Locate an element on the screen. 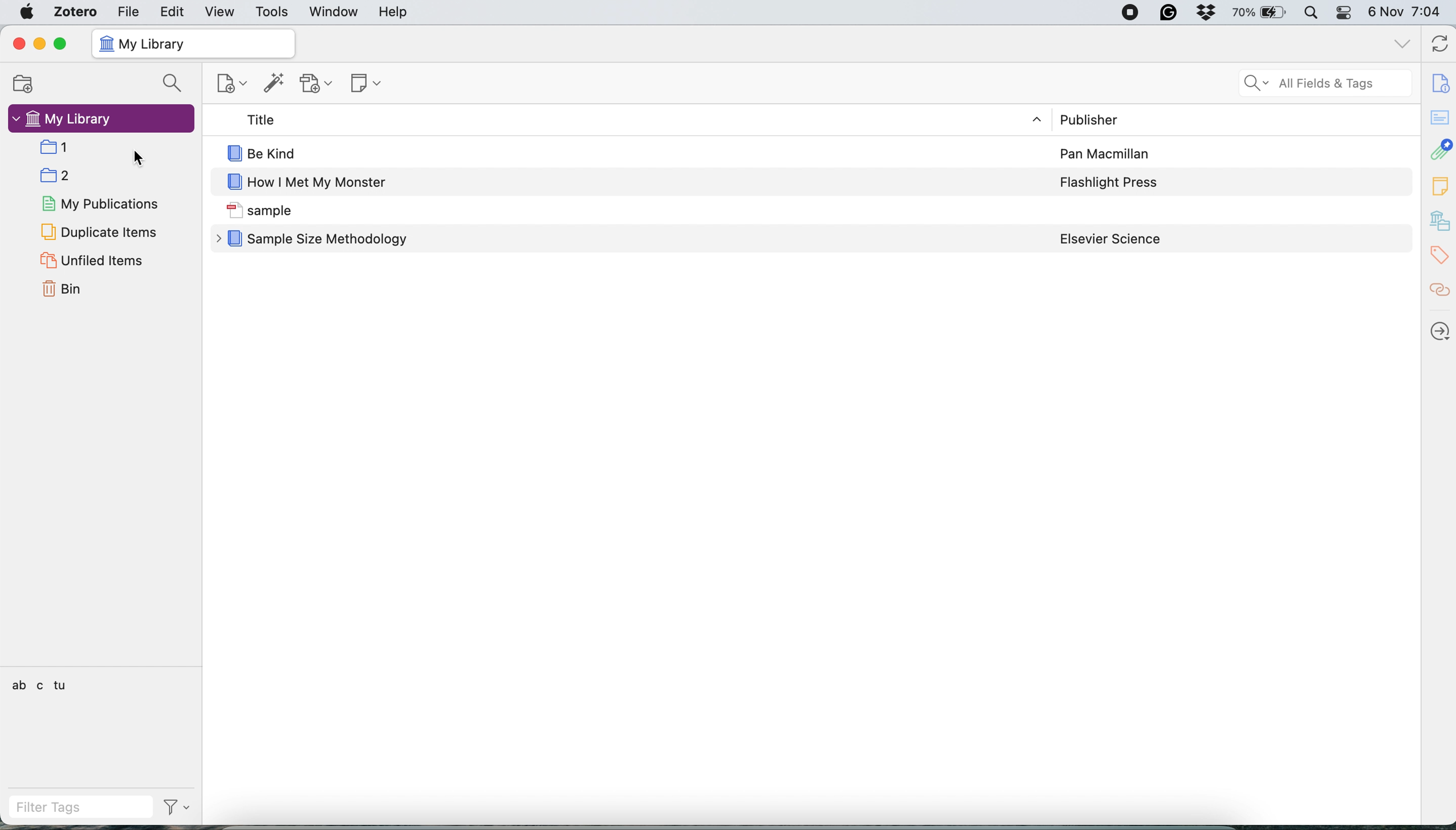 The image size is (1456, 830). library and collections is located at coordinates (1439, 221).